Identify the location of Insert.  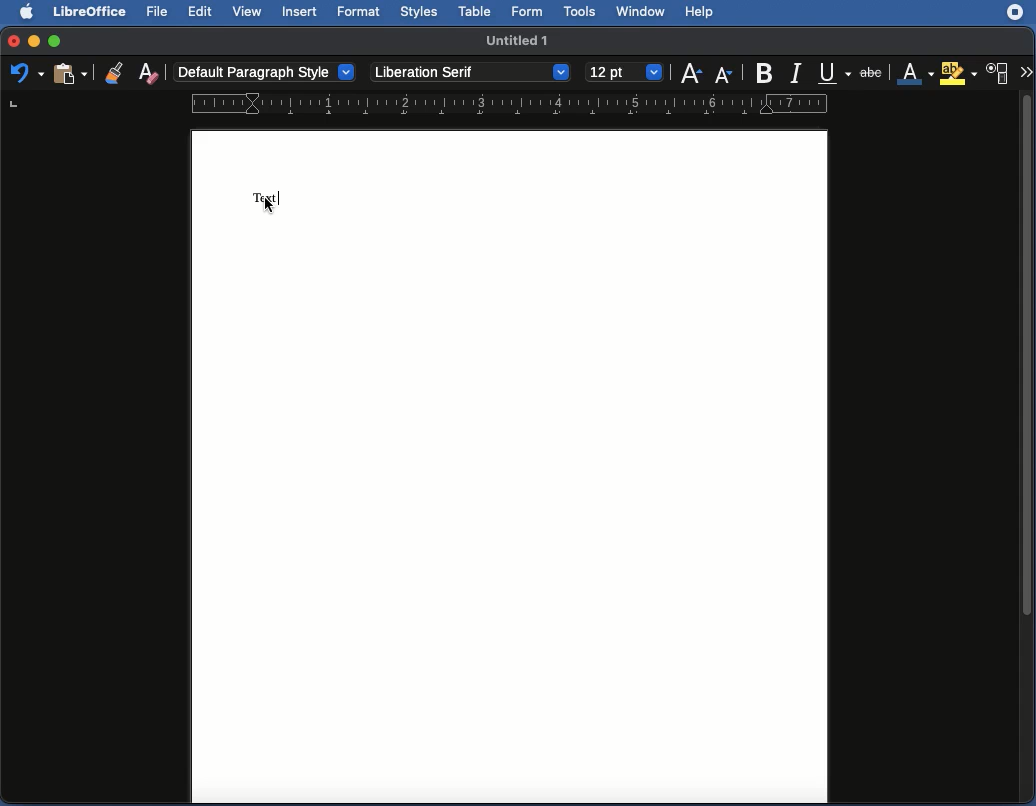
(301, 12).